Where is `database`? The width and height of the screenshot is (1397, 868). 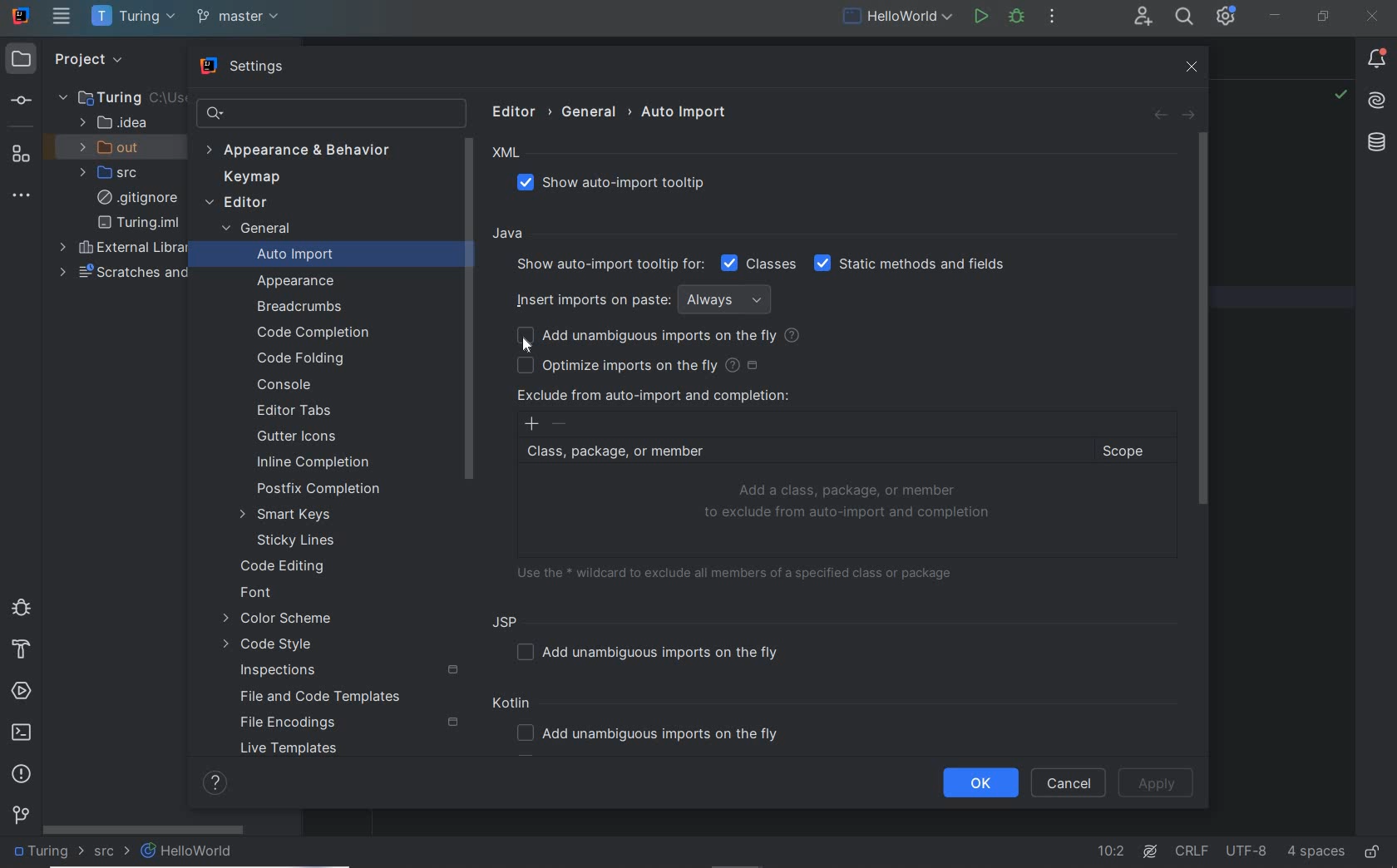 database is located at coordinates (1375, 144).